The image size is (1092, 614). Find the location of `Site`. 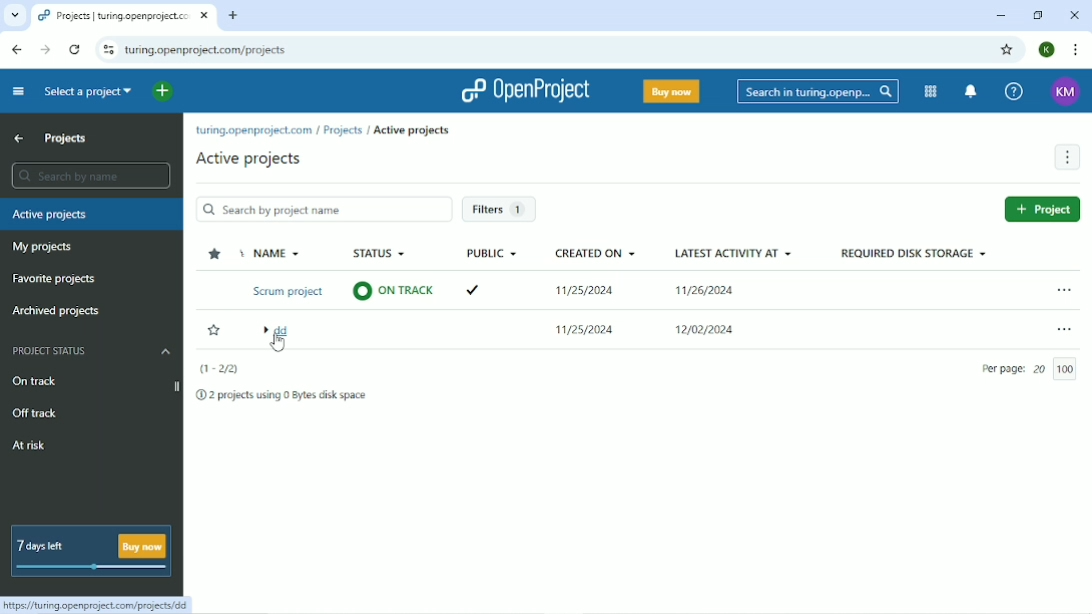

Site is located at coordinates (210, 50).